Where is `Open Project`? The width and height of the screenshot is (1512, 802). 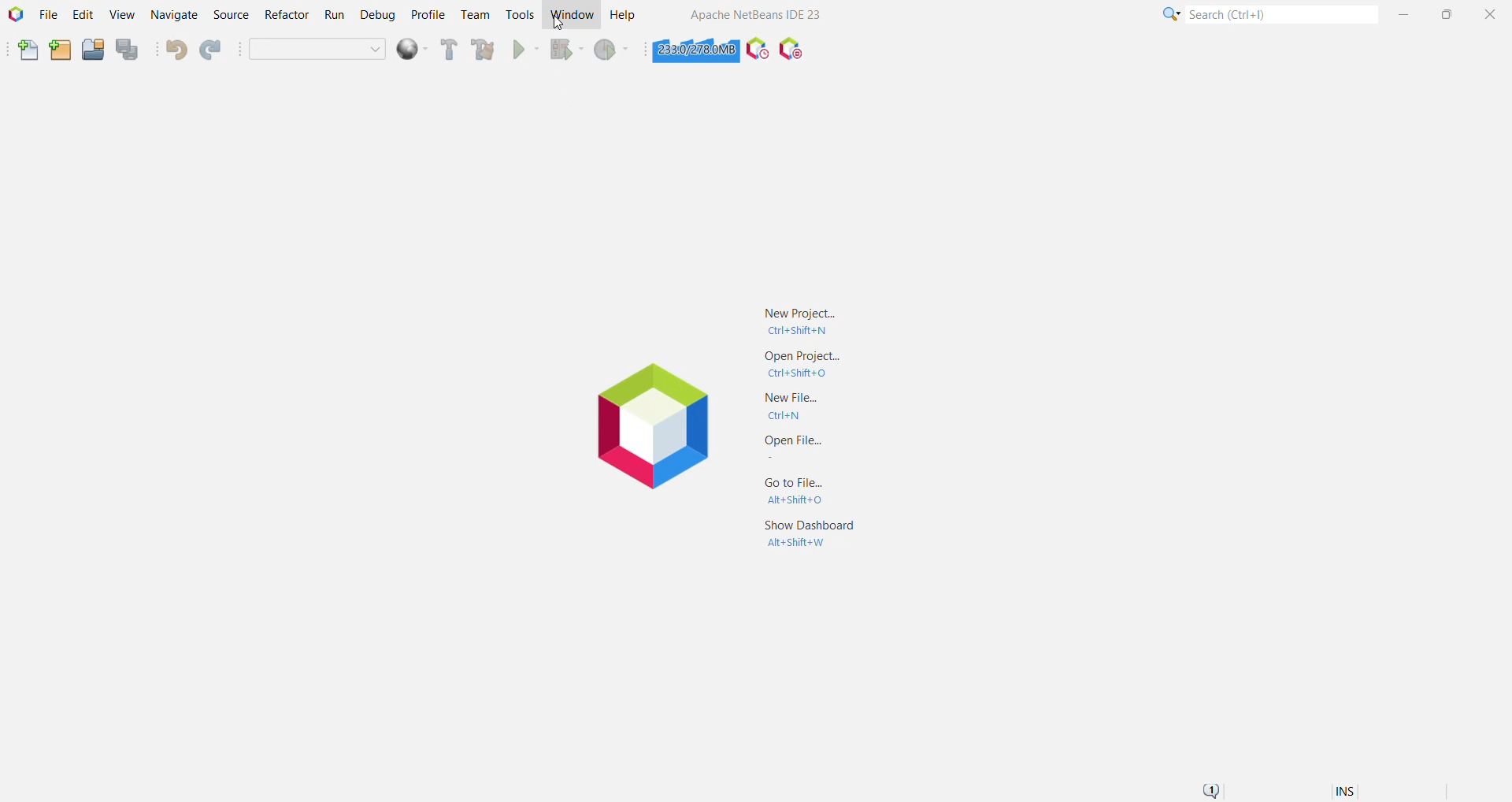 Open Project is located at coordinates (91, 50).